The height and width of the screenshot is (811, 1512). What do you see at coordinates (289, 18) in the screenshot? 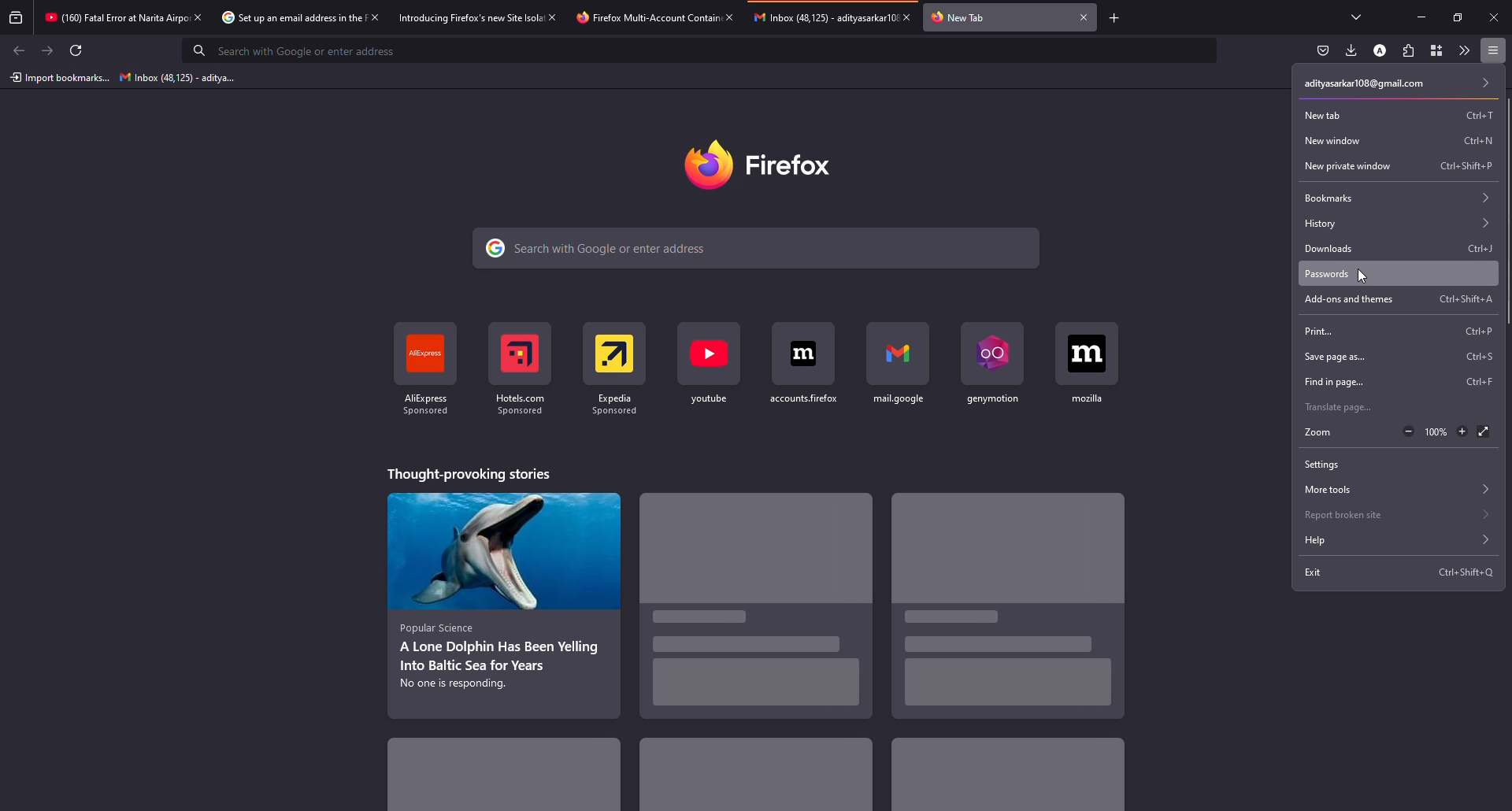
I see `tab` at bounding box center [289, 18].